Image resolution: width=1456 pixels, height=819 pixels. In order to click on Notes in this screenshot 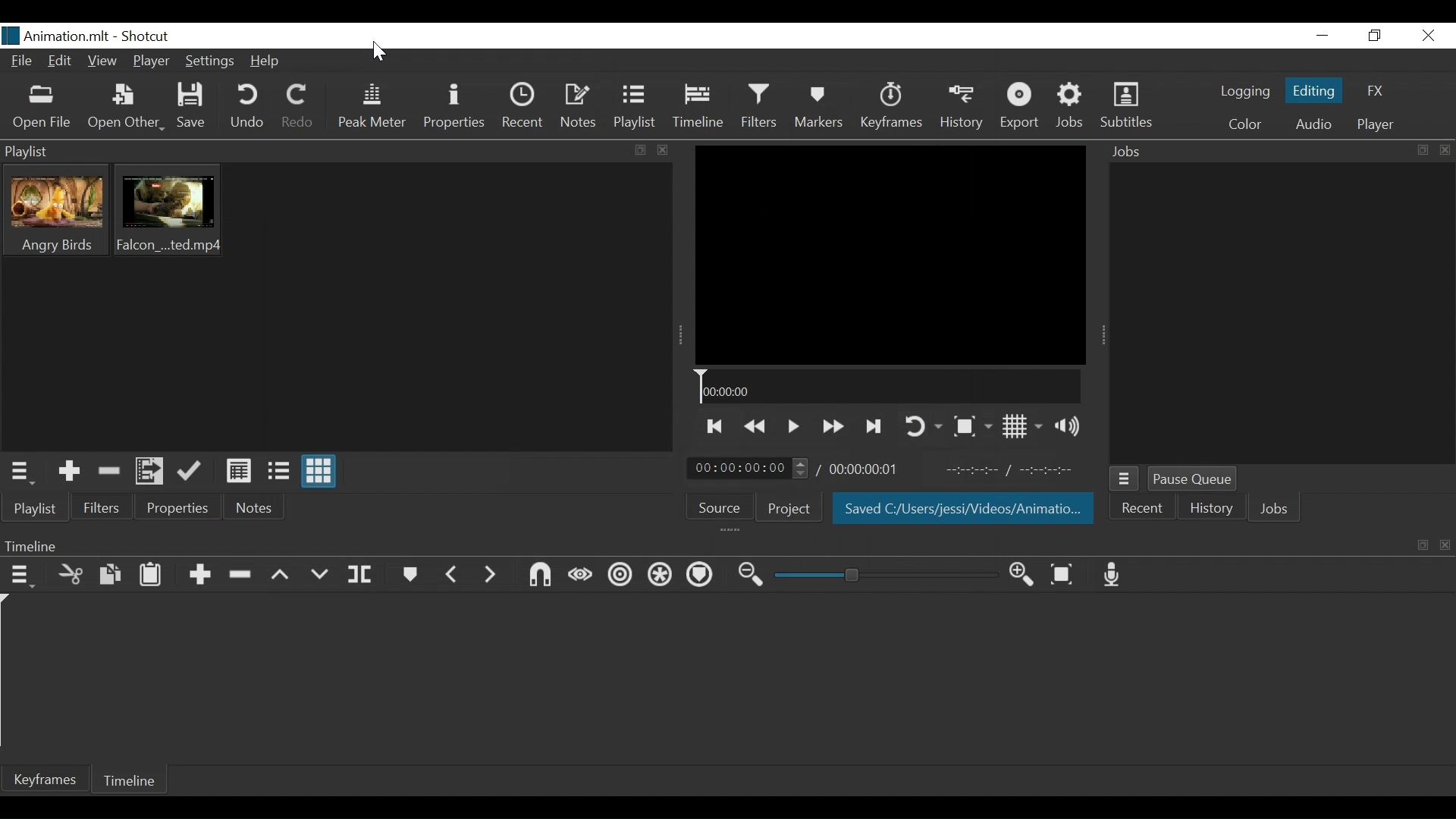, I will do `click(254, 509)`.